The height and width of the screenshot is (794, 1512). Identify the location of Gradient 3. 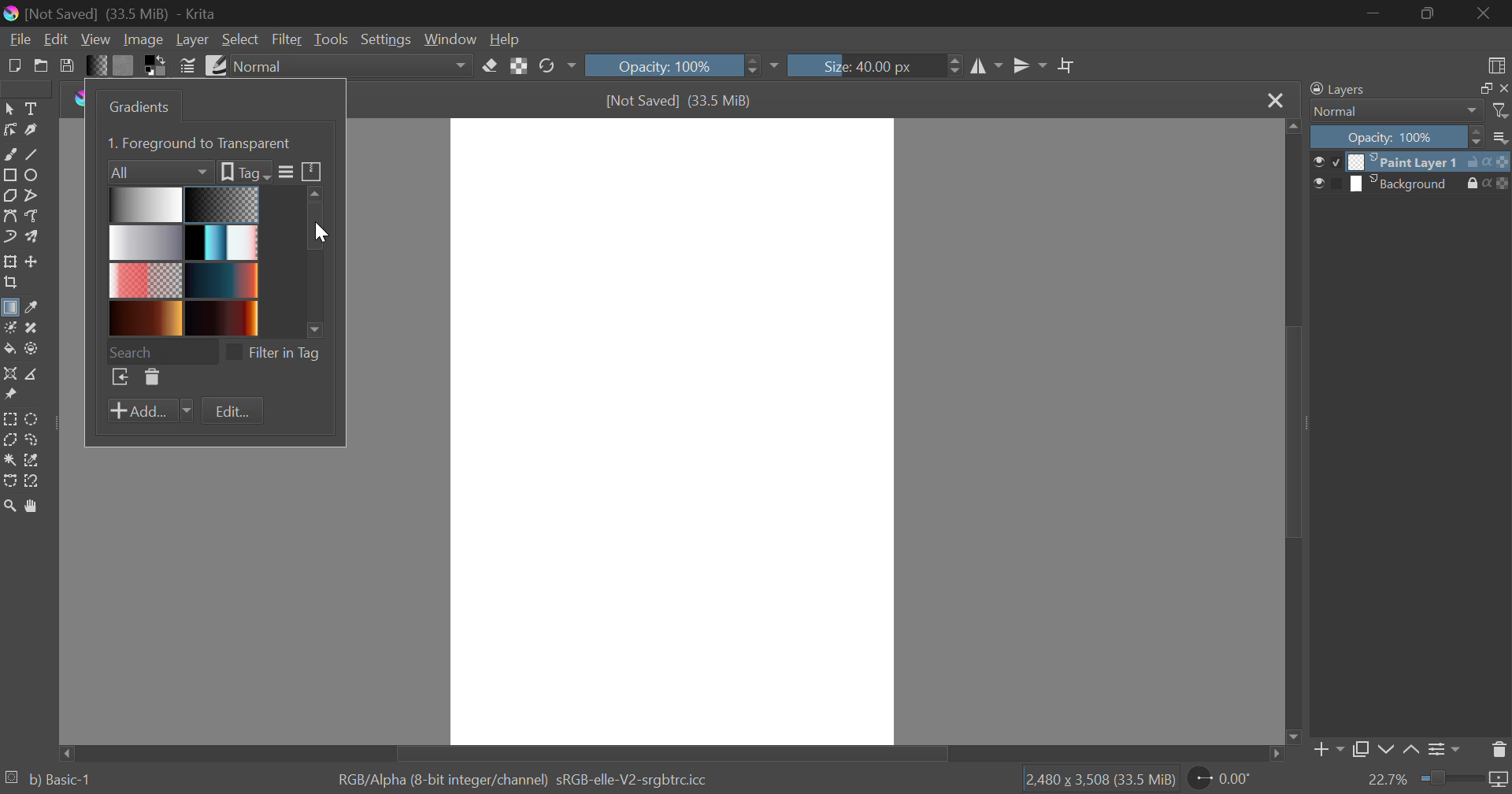
(146, 243).